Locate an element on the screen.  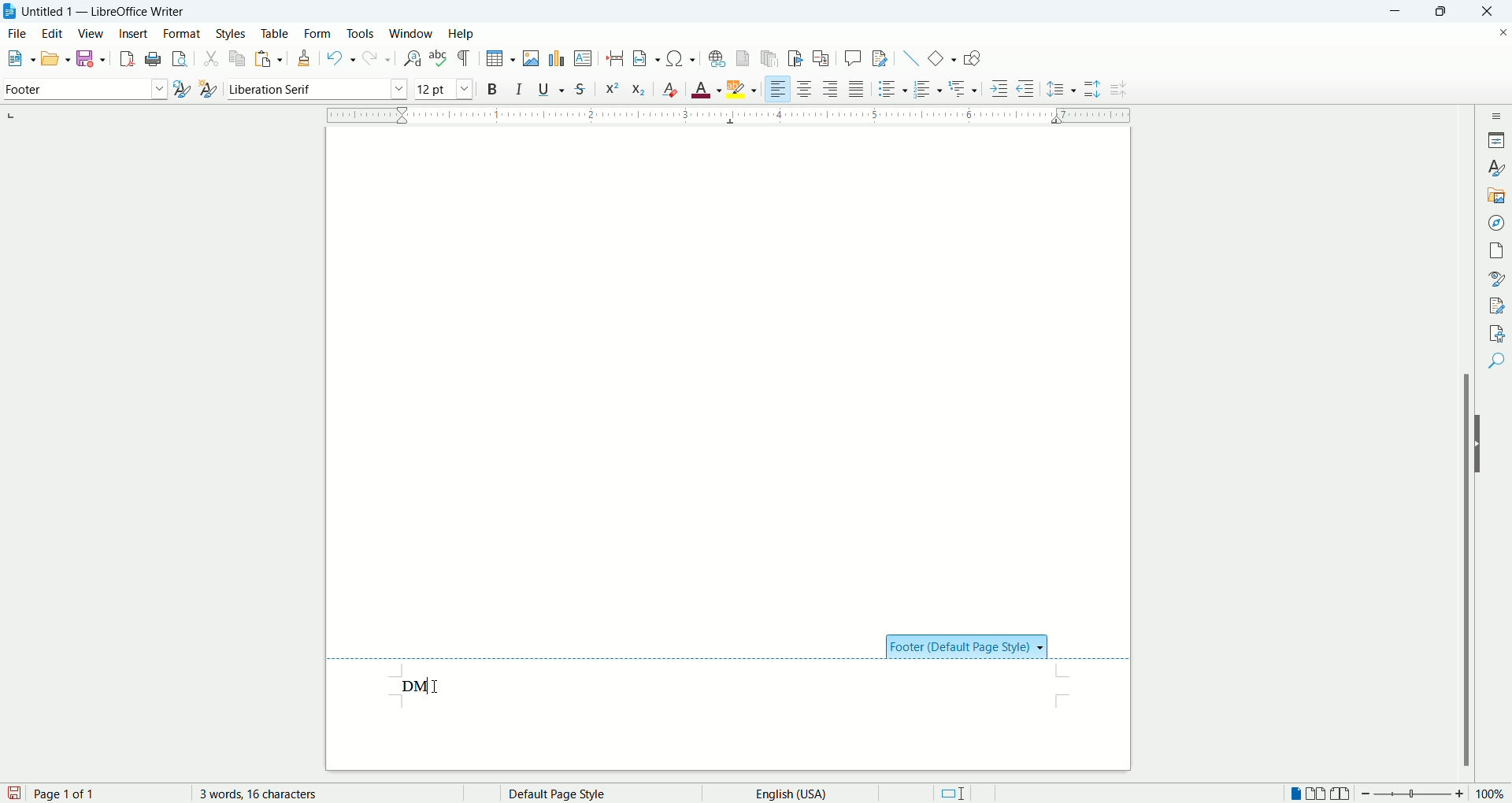
window is located at coordinates (412, 34).